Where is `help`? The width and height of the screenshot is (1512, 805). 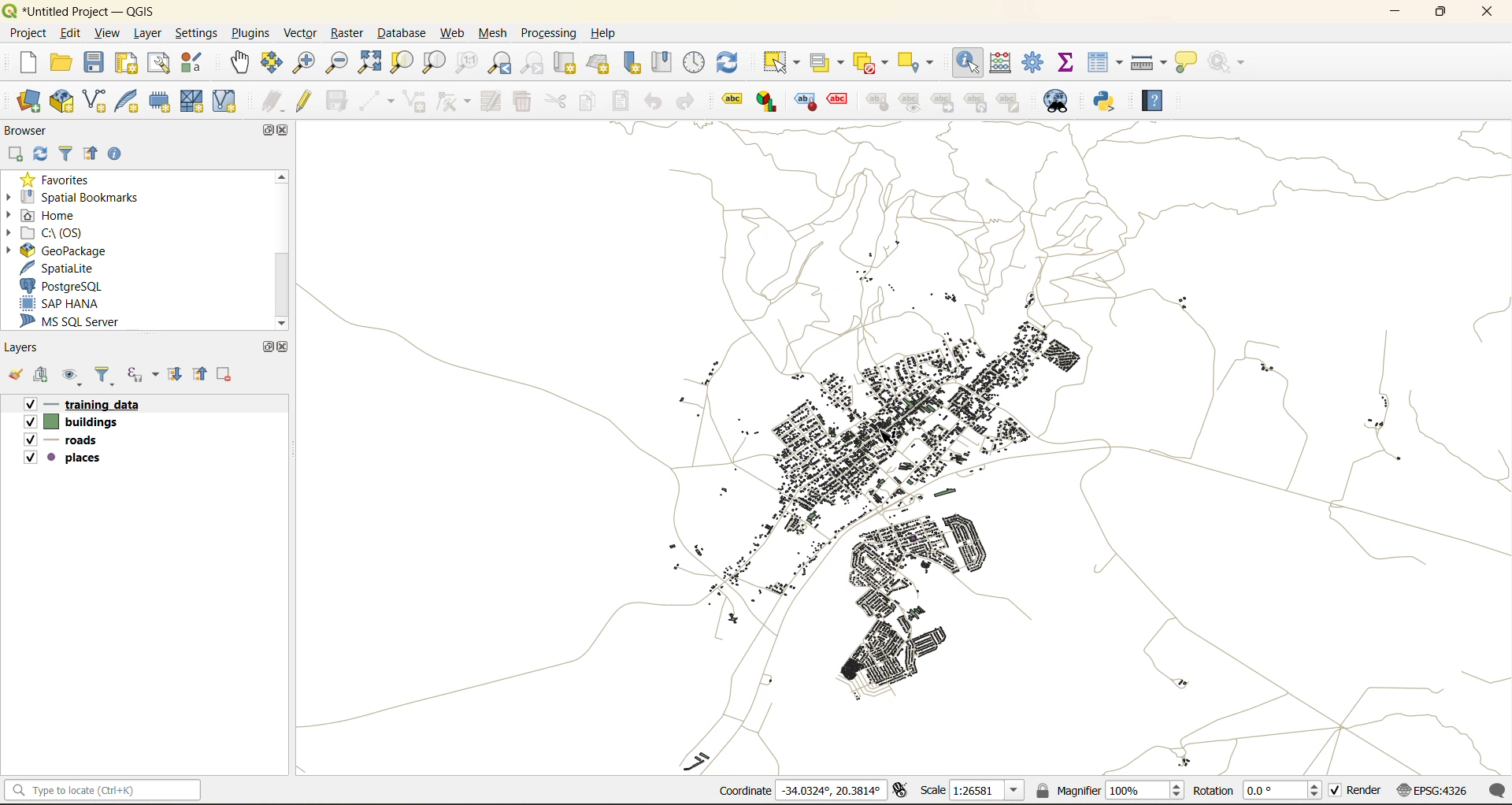
help is located at coordinates (1152, 103).